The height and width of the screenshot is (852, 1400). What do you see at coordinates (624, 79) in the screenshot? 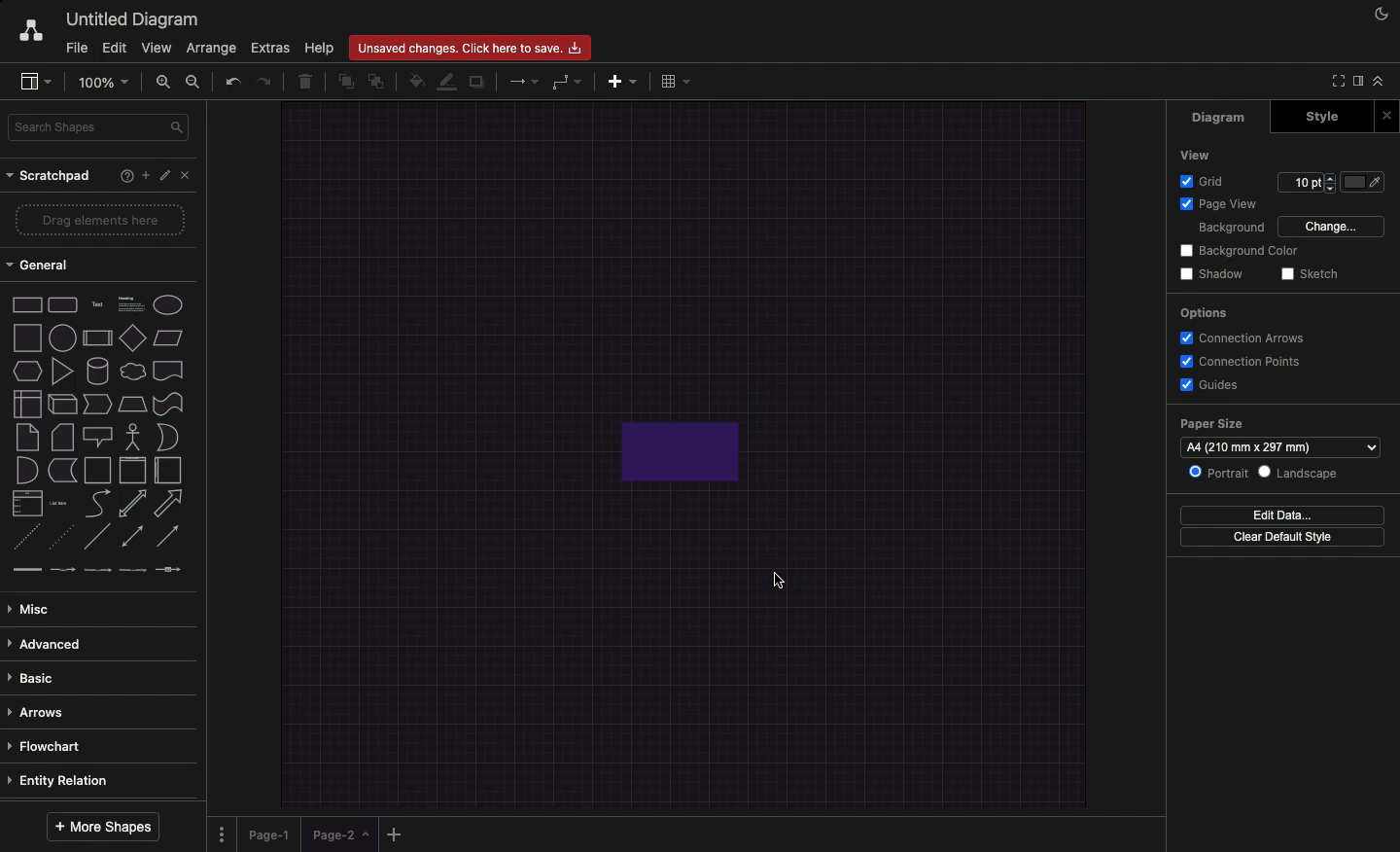
I see `Ad` at bounding box center [624, 79].